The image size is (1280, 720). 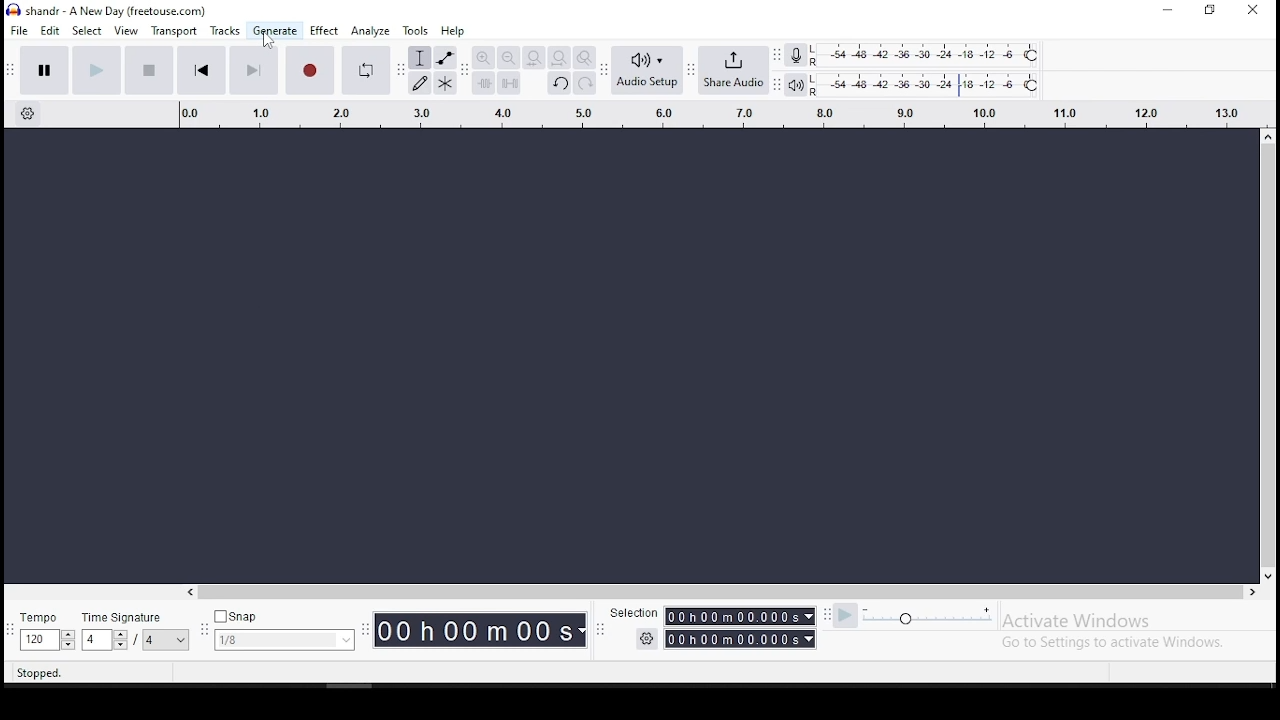 What do you see at coordinates (630, 613) in the screenshot?
I see `` at bounding box center [630, 613].